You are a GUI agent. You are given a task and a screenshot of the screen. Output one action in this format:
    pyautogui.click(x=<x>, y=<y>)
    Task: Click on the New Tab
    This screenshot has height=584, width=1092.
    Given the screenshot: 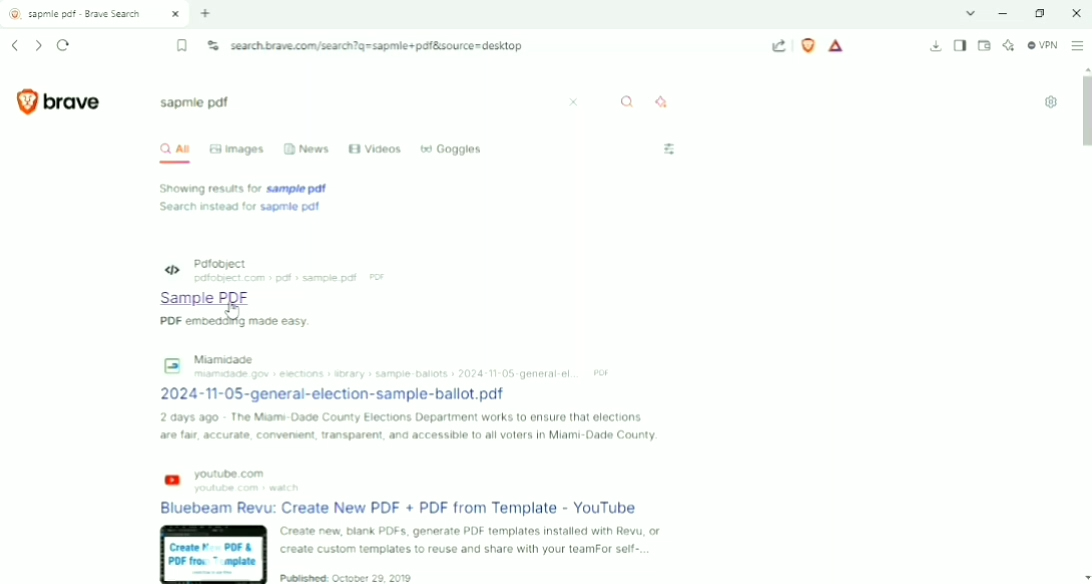 What is the action you would take?
    pyautogui.click(x=206, y=13)
    